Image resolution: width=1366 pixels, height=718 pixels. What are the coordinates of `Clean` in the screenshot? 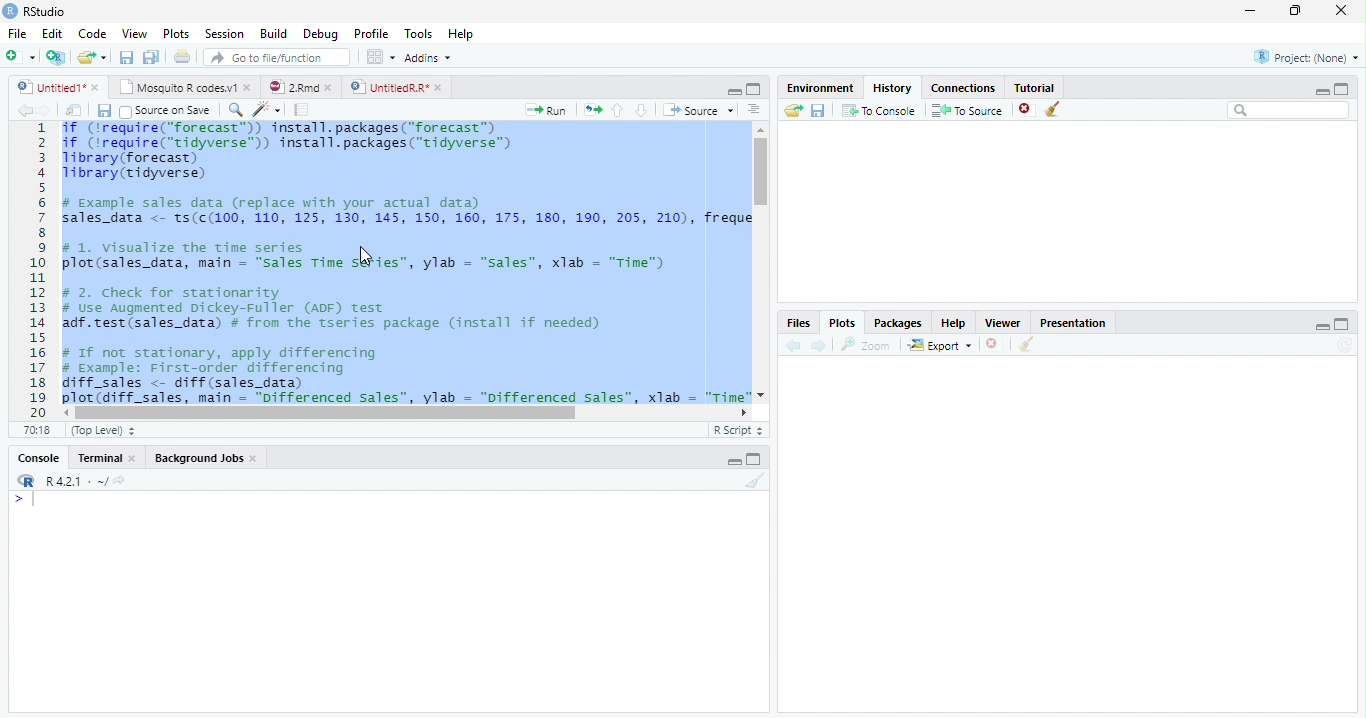 It's located at (1056, 109).